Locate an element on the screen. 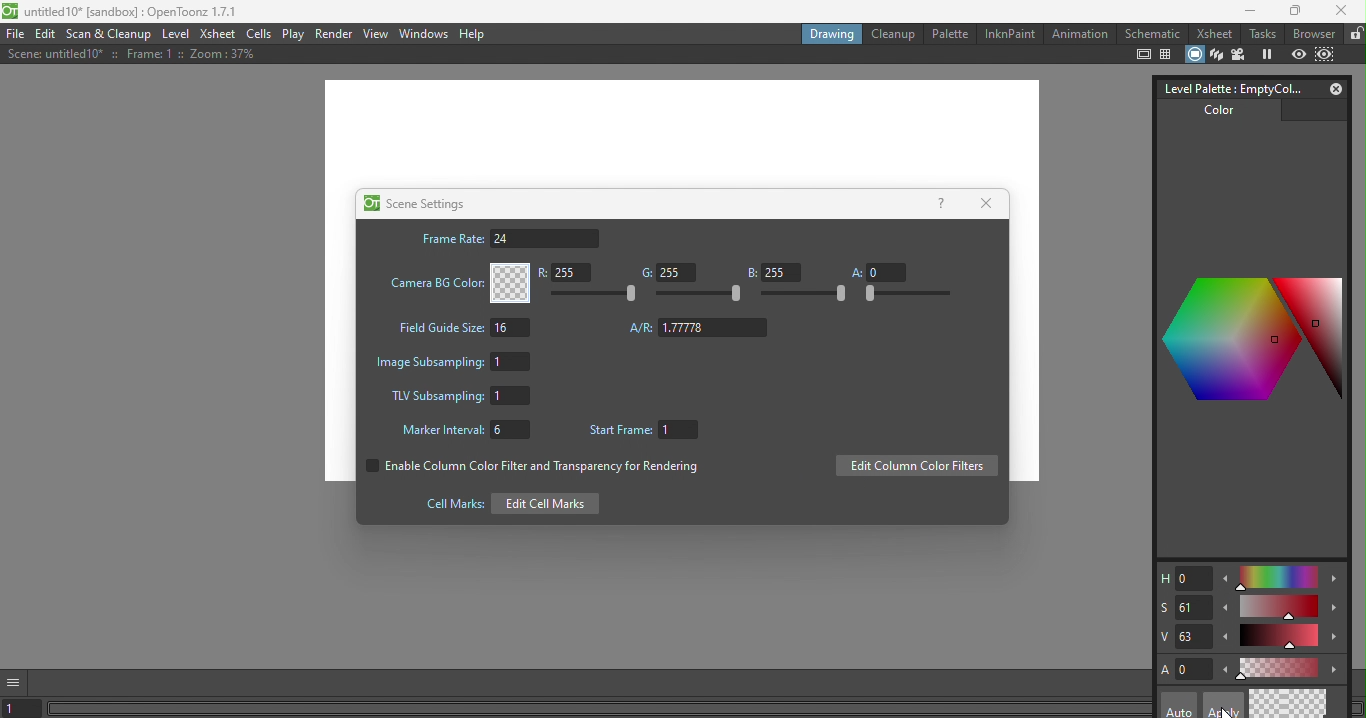  Slide bar is located at coordinates (1278, 667).